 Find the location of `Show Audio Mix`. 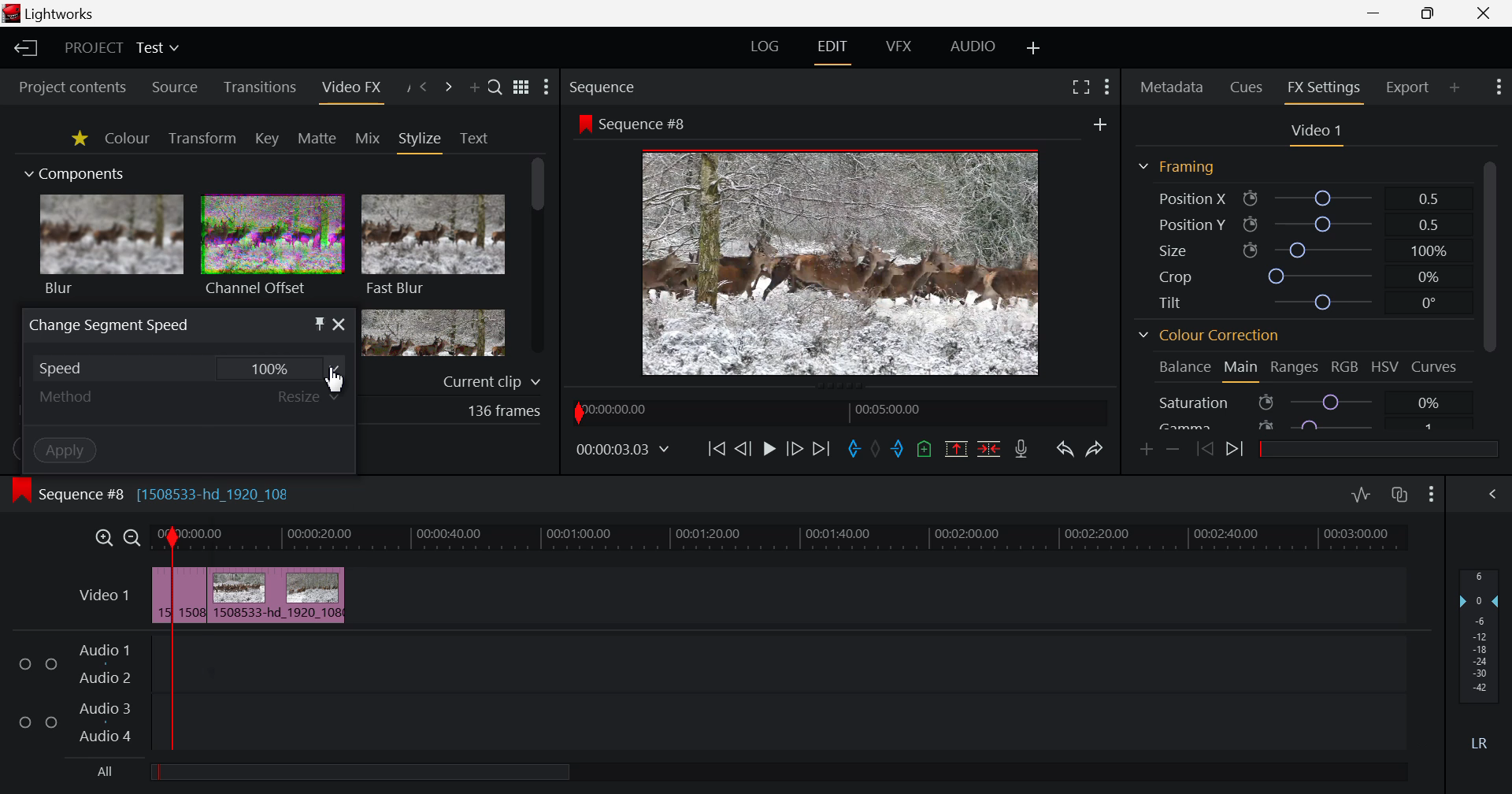

Show Audio Mix is located at coordinates (1494, 495).